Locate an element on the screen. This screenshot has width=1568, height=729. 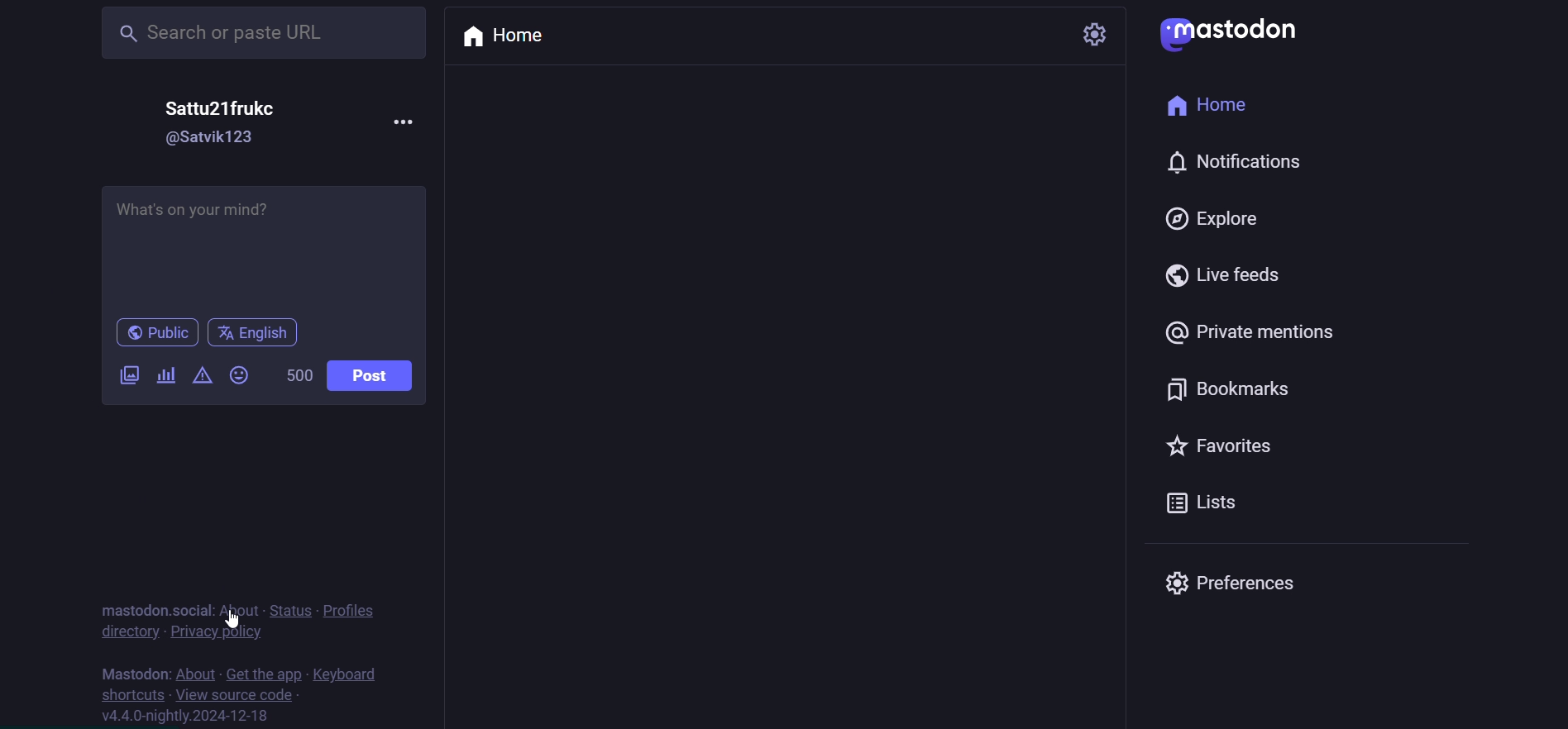
favorite is located at coordinates (1231, 450).